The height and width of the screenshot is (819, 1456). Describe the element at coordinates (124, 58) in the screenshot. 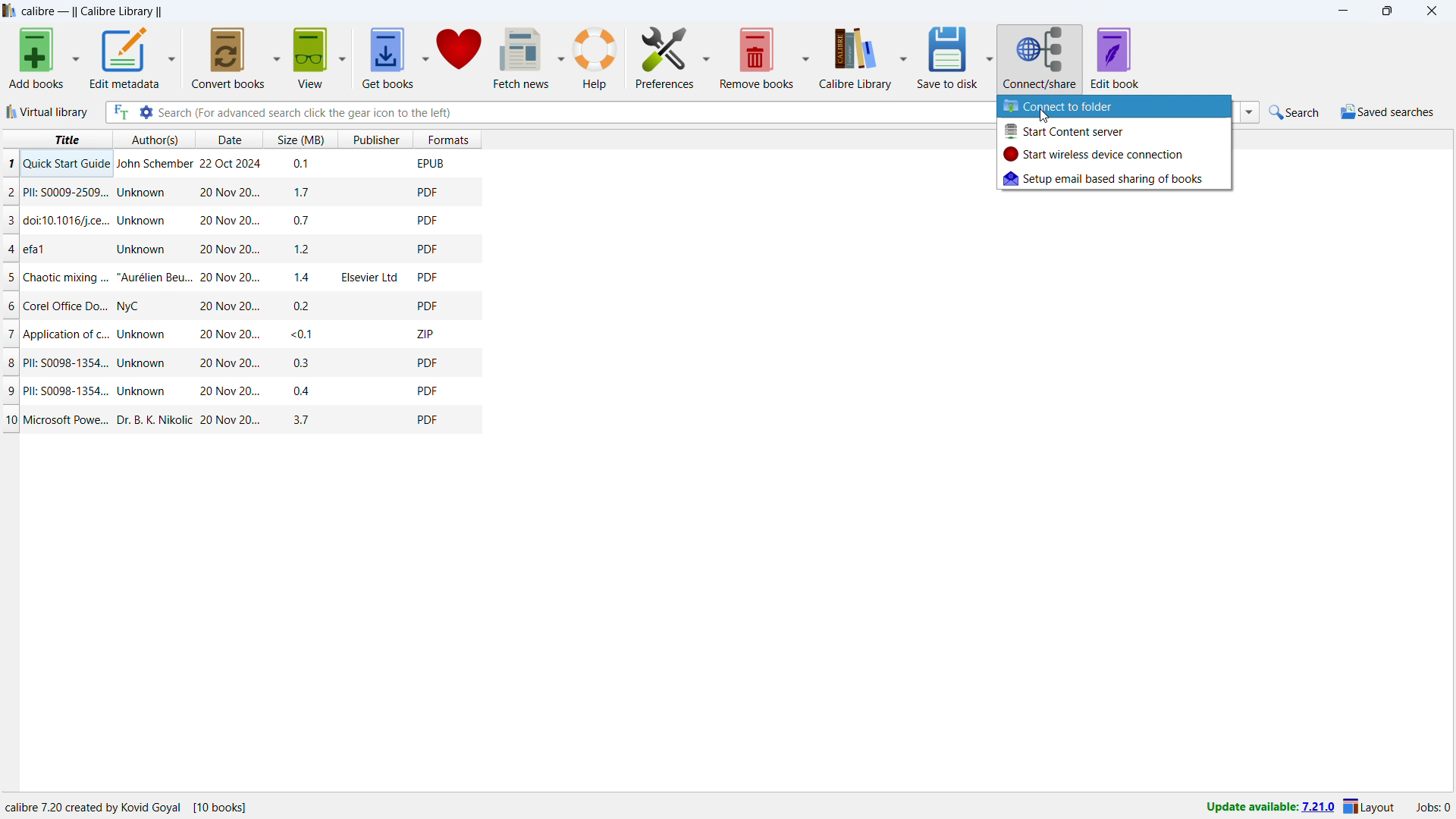

I see `edit metadata` at that location.